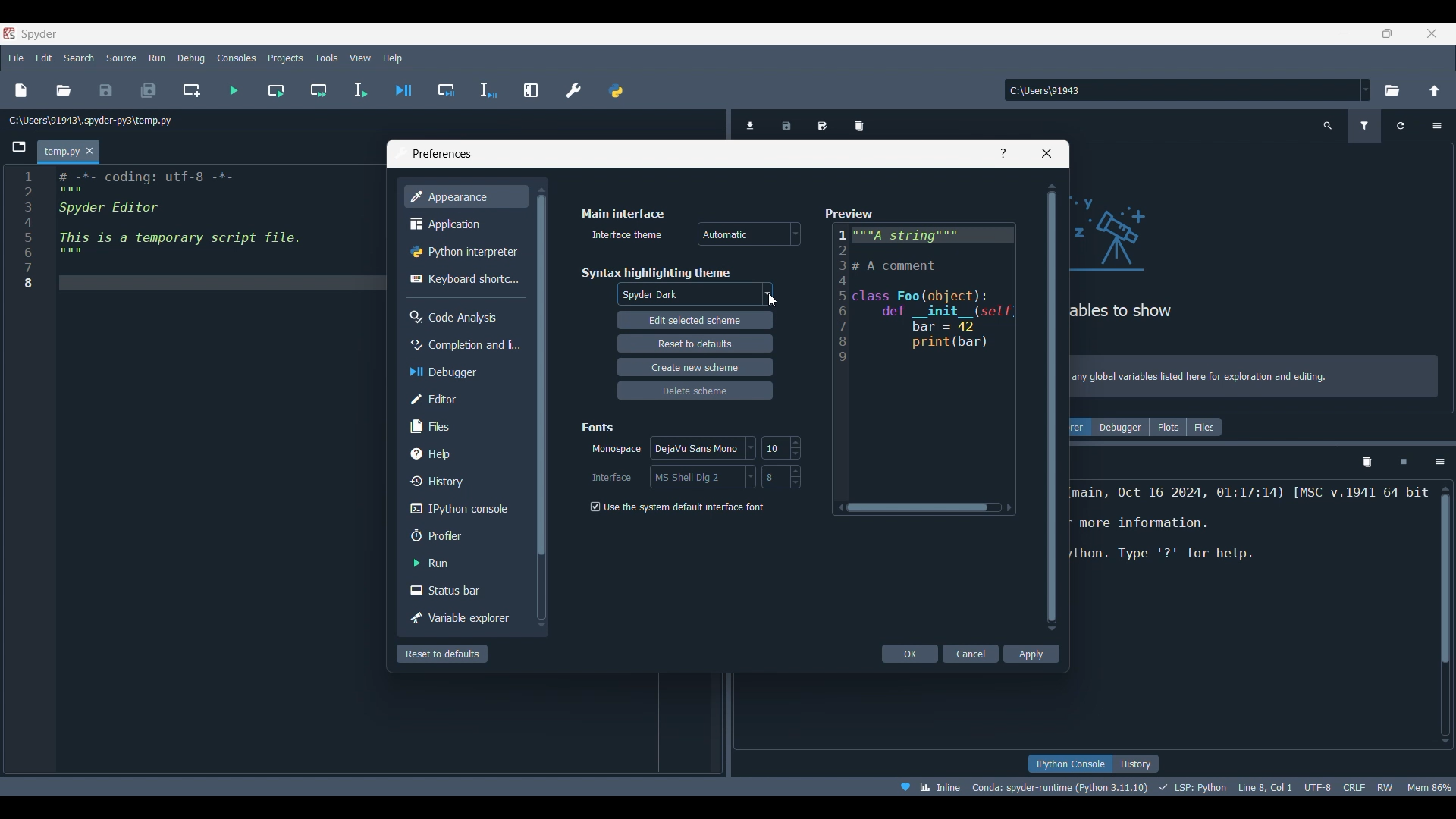  Describe the element at coordinates (655, 272) in the screenshot. I see `Section title` at that location.